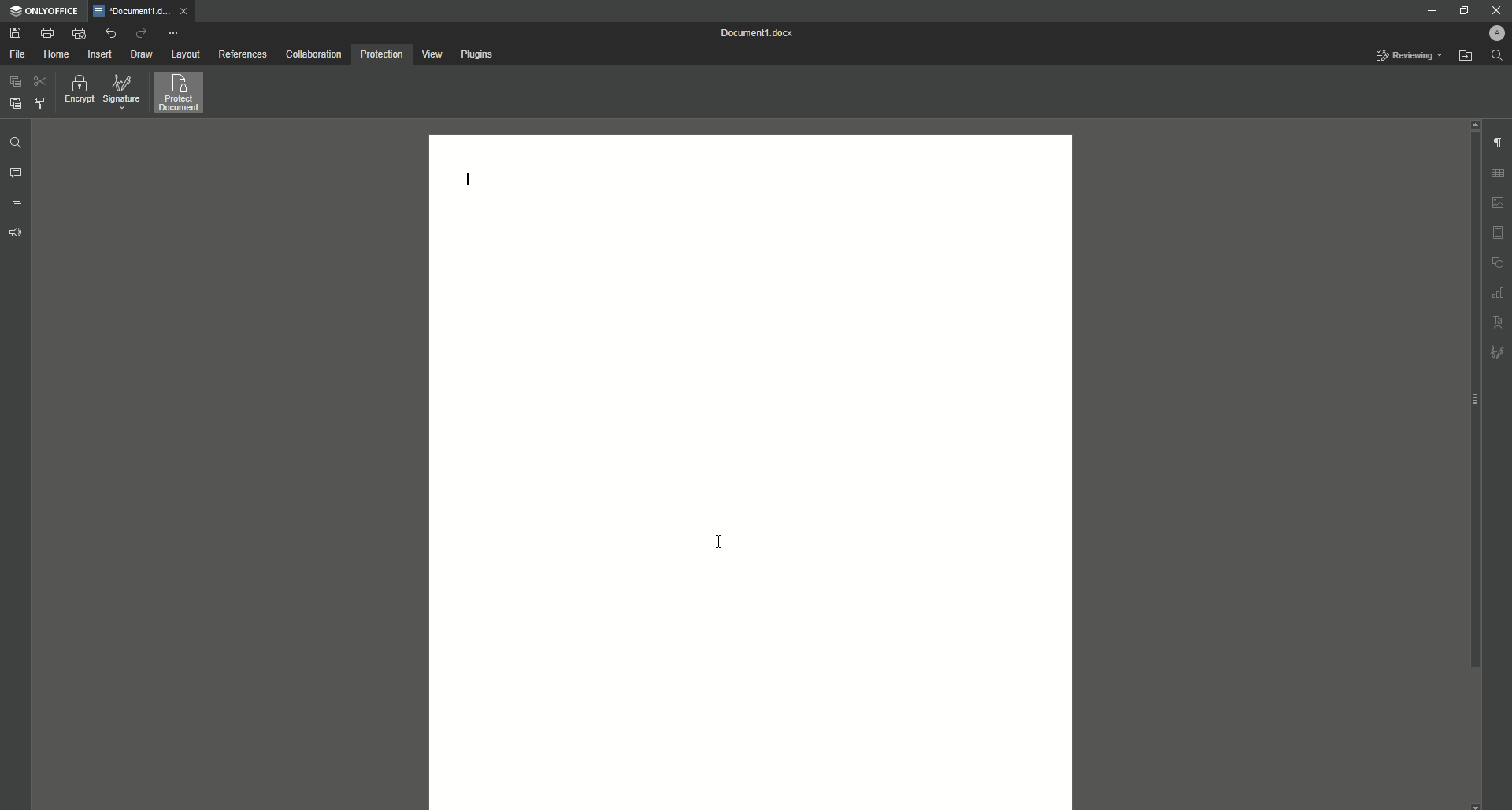 This screenshot has height=810, width=1512. I want to click on scroll bar, so click(1472, 400).